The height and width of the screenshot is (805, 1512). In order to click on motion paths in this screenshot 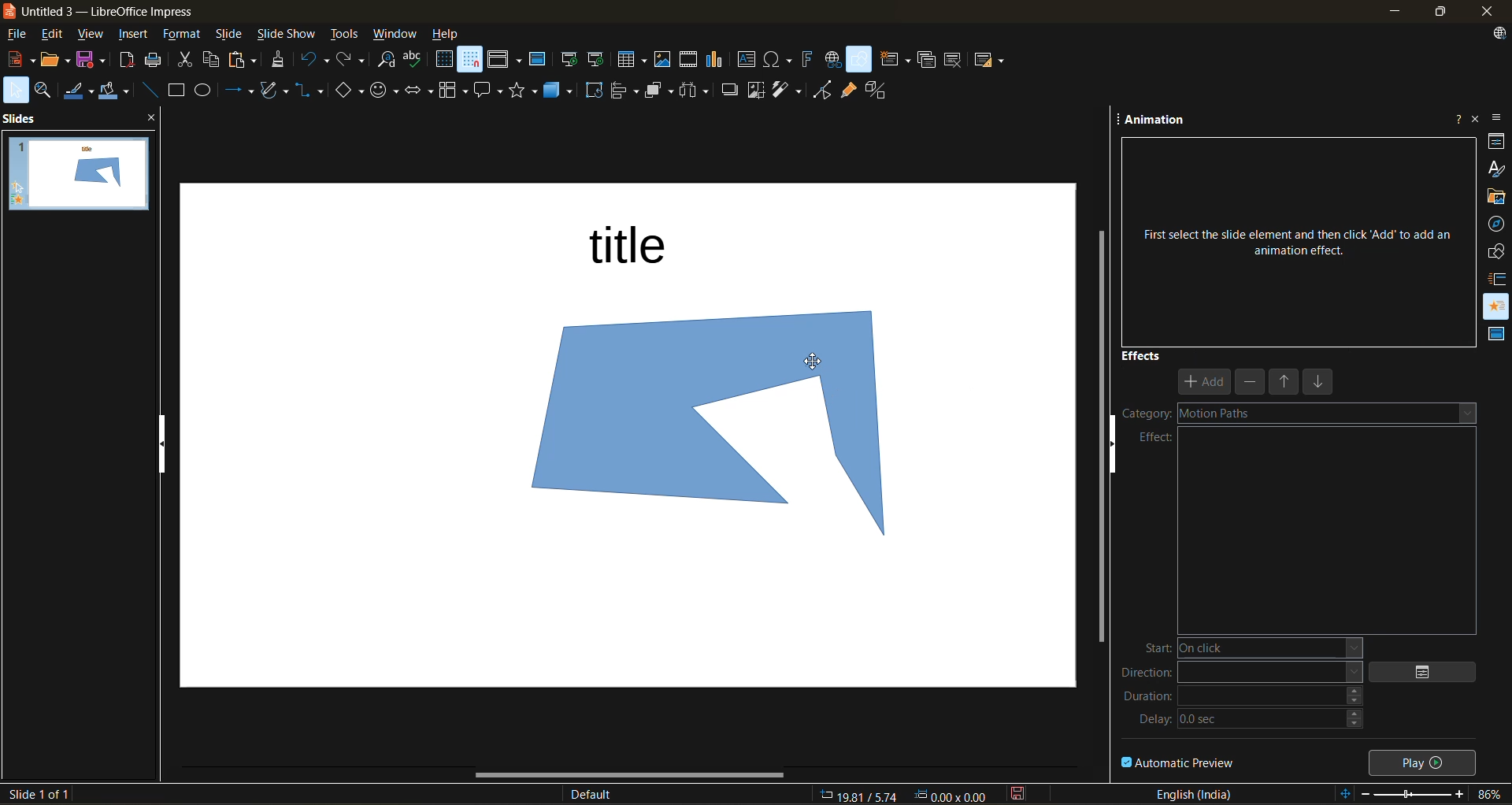, I will do `click(1221, 414)`.